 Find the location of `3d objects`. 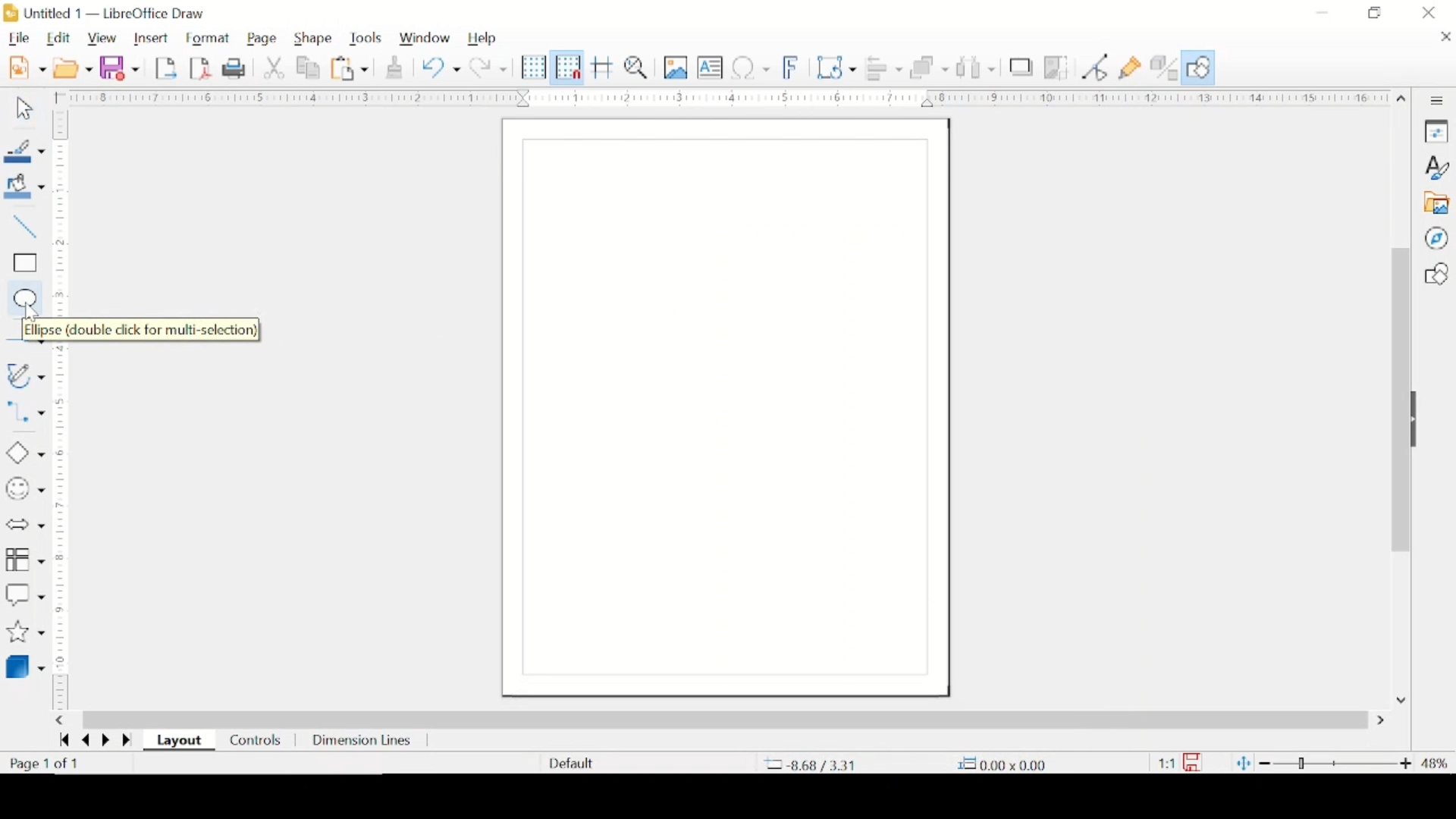

3d objects is located at coordinates (28, 666).